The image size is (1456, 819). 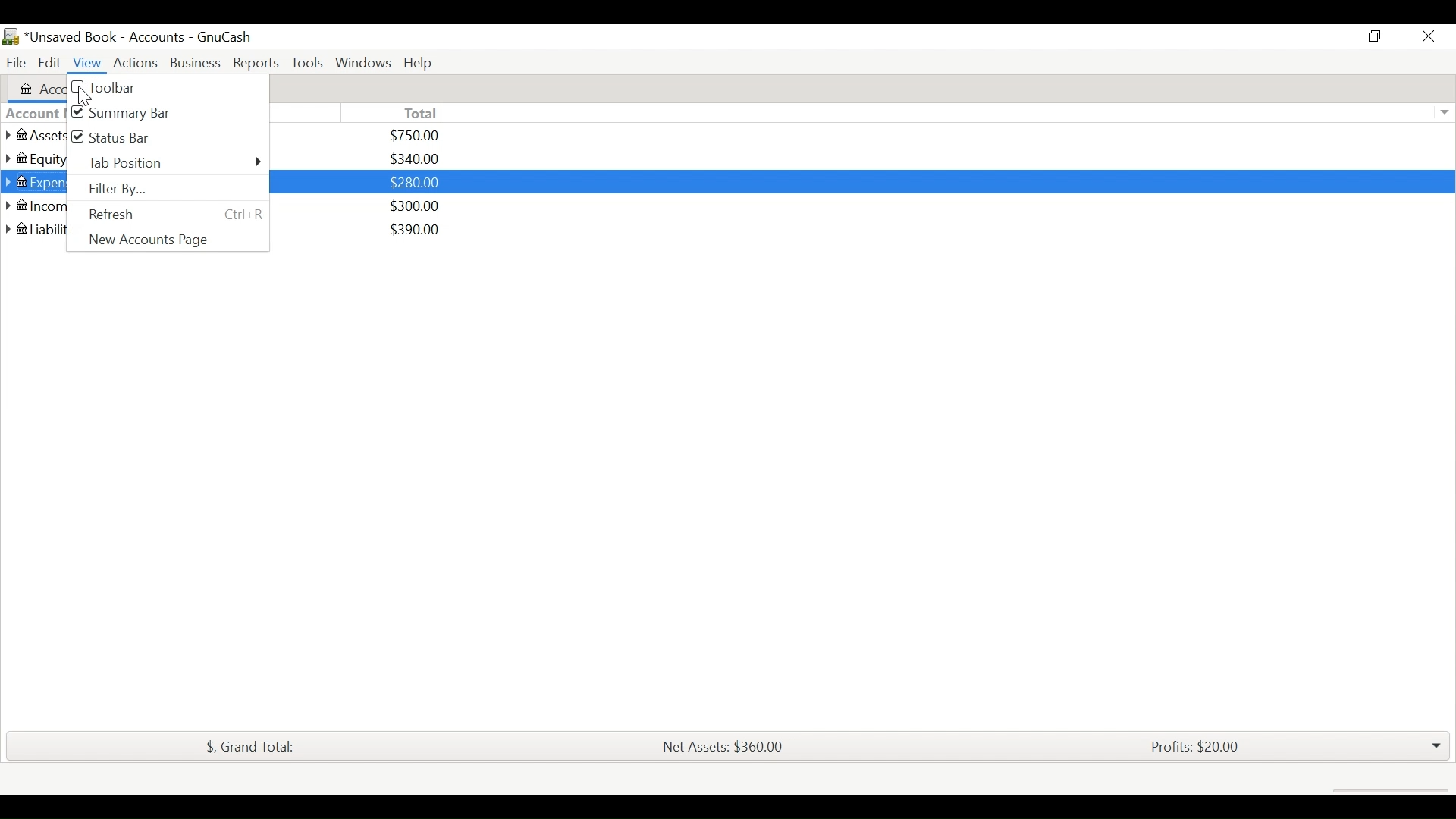 What do you see at coordinates (15, 61) in the screenshot?
I see `File` at bounding box center [15, 61].